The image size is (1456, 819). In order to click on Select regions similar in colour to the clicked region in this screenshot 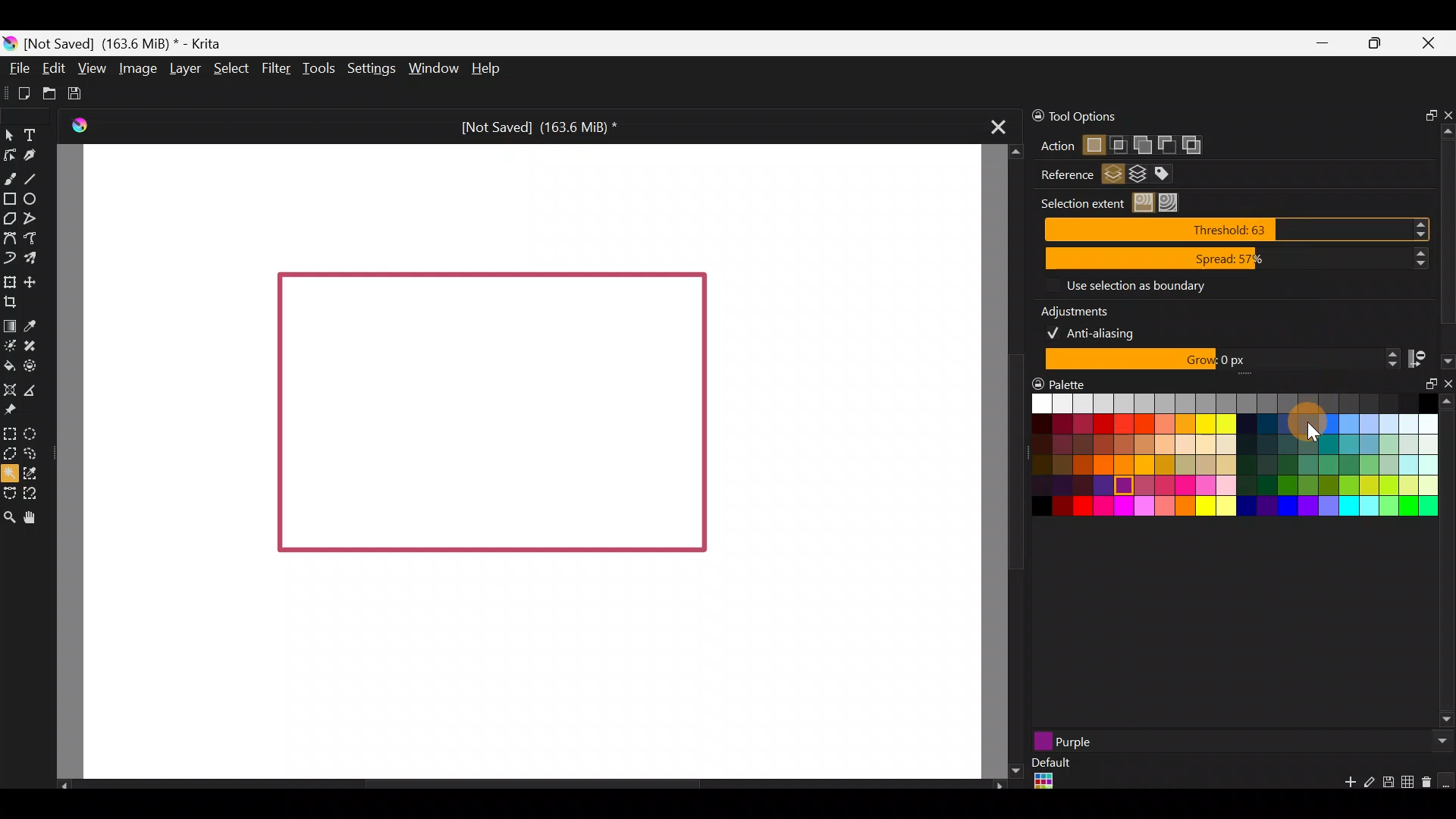, I will do `click(1146, 203)`.